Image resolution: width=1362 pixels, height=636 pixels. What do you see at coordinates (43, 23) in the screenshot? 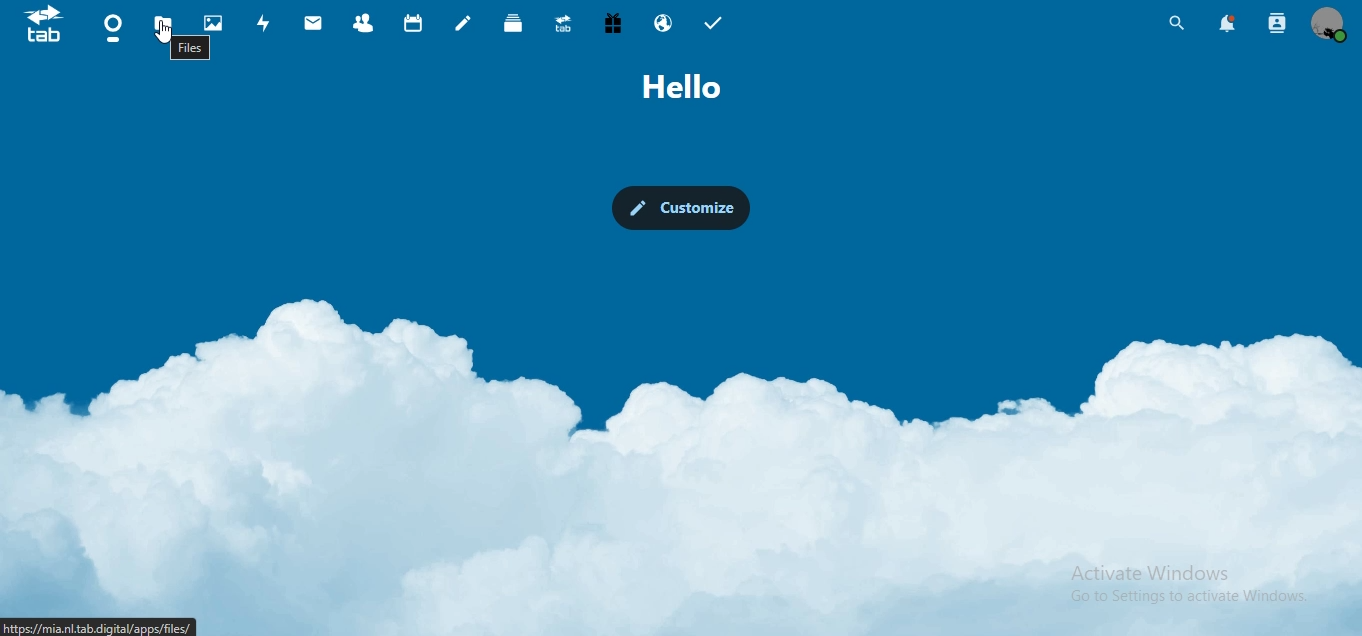
I see `icon` at bounding box center [43, 23].